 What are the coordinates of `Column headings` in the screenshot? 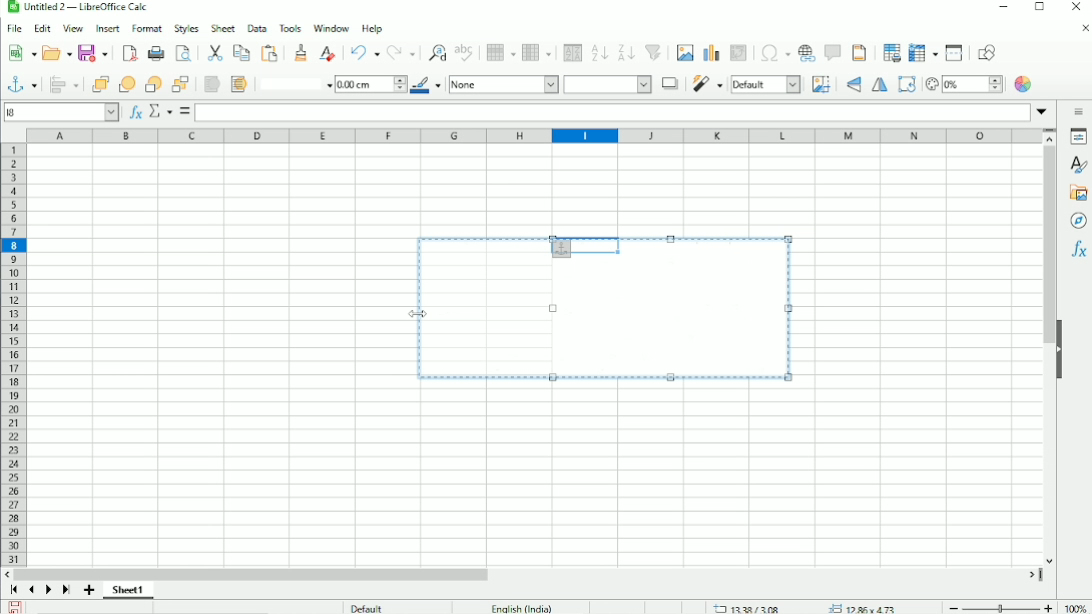 It's located at (535, 136).